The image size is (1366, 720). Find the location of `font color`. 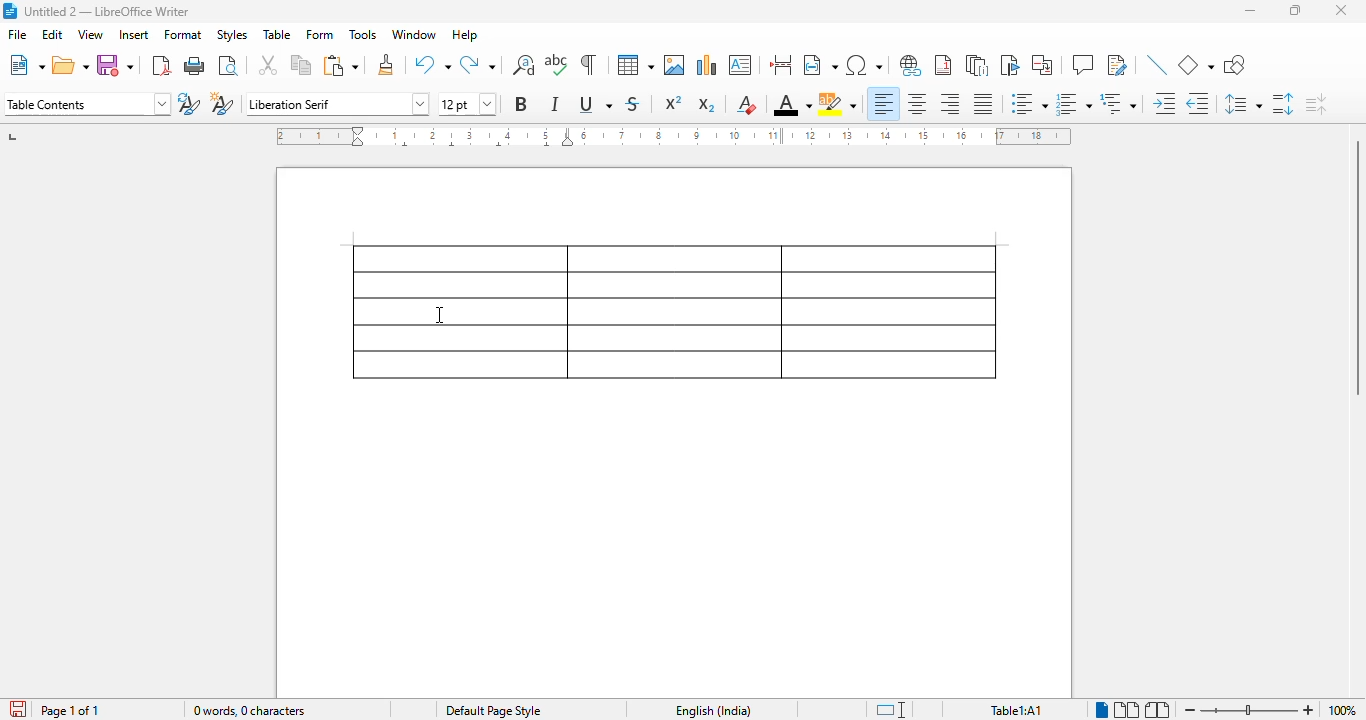

font color is located at coordinates (792, 103).